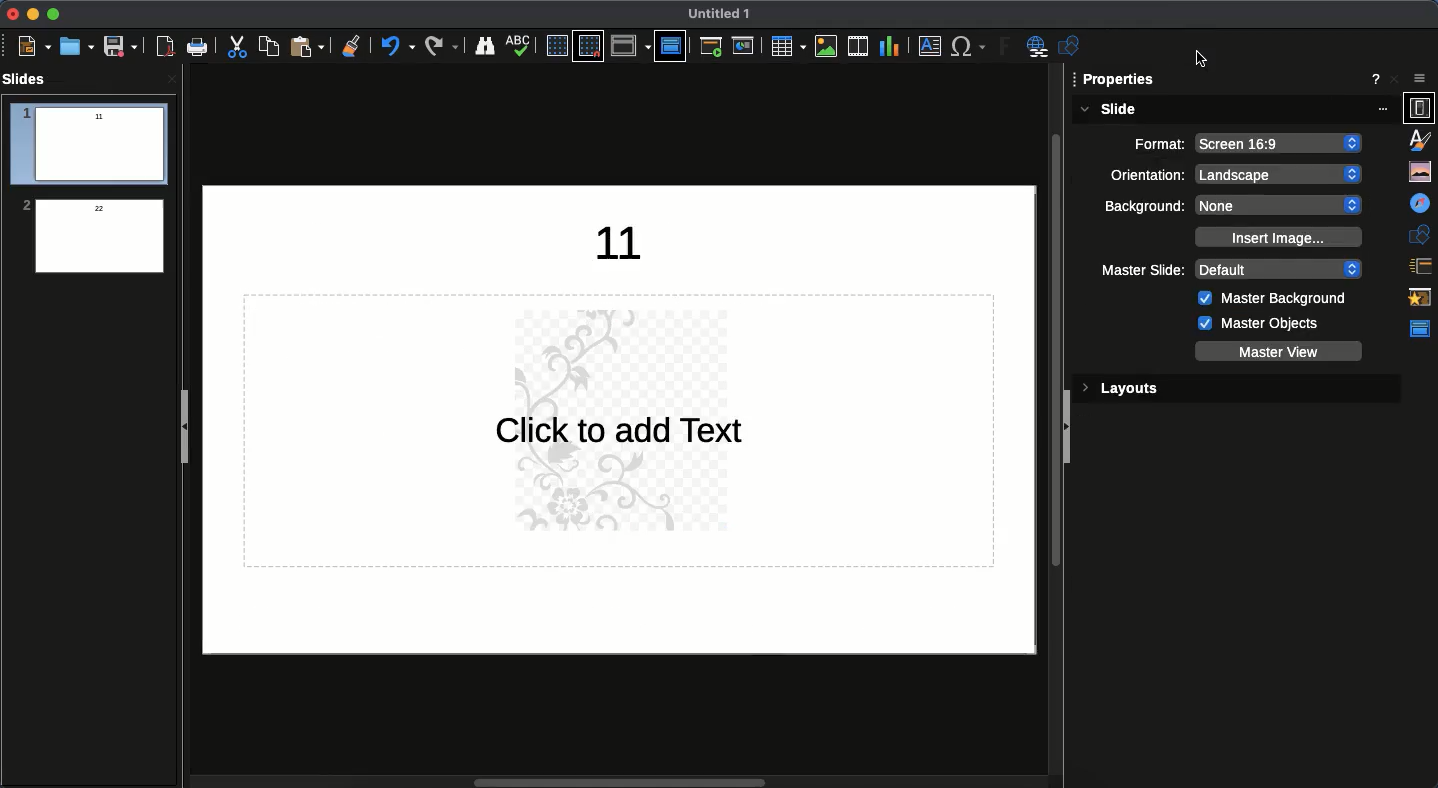 The image size is (1438, 788). Describe the element at coordinates (720, 14) in the screenshot. I see `Untitled` at that location.